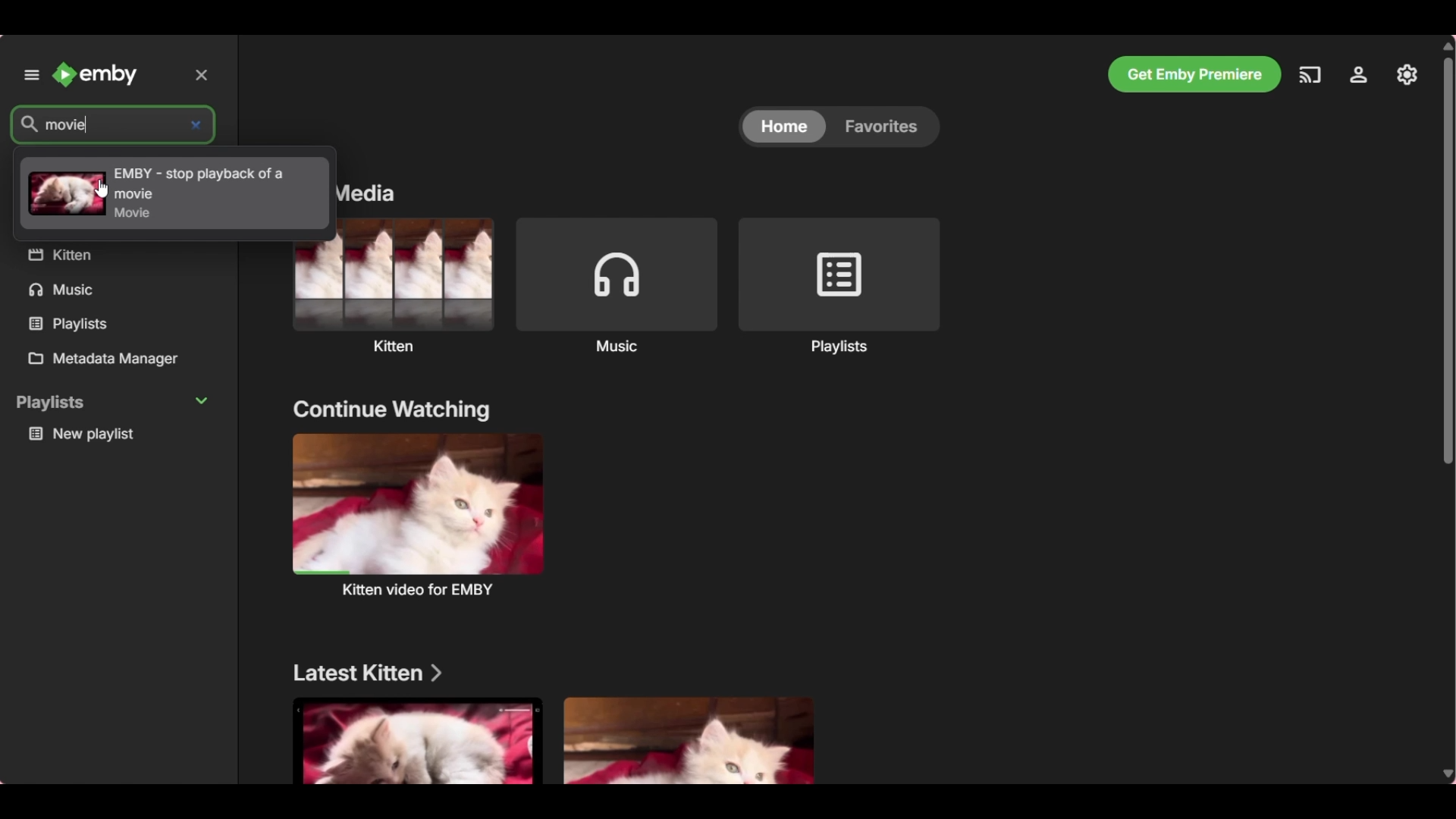 This screenshot has width=1456, height=819. Describe the element at coordinates (96, 74) in the screenshot. I see `Emby` at that location.